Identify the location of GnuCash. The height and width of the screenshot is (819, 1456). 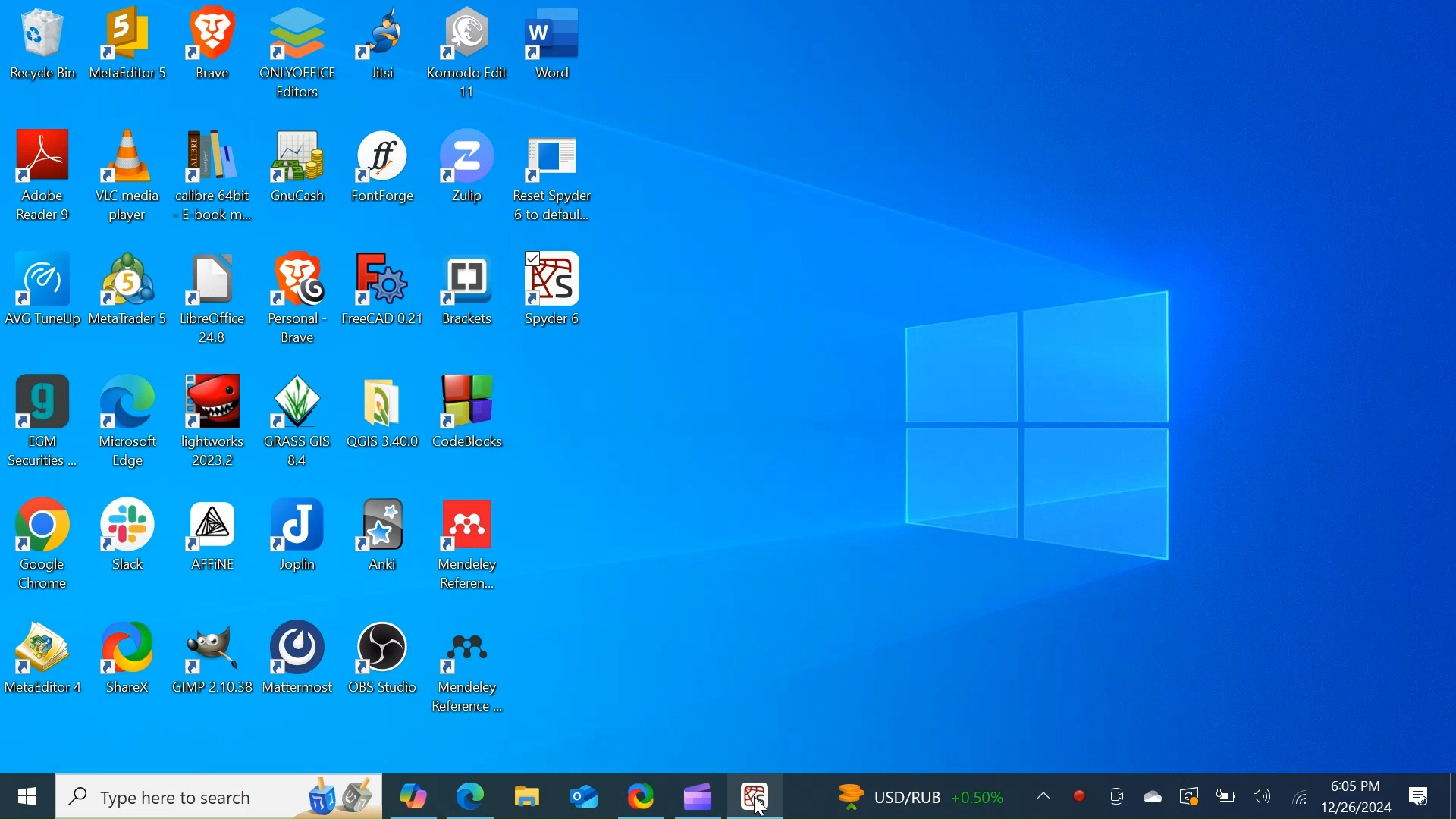
(300, 179).